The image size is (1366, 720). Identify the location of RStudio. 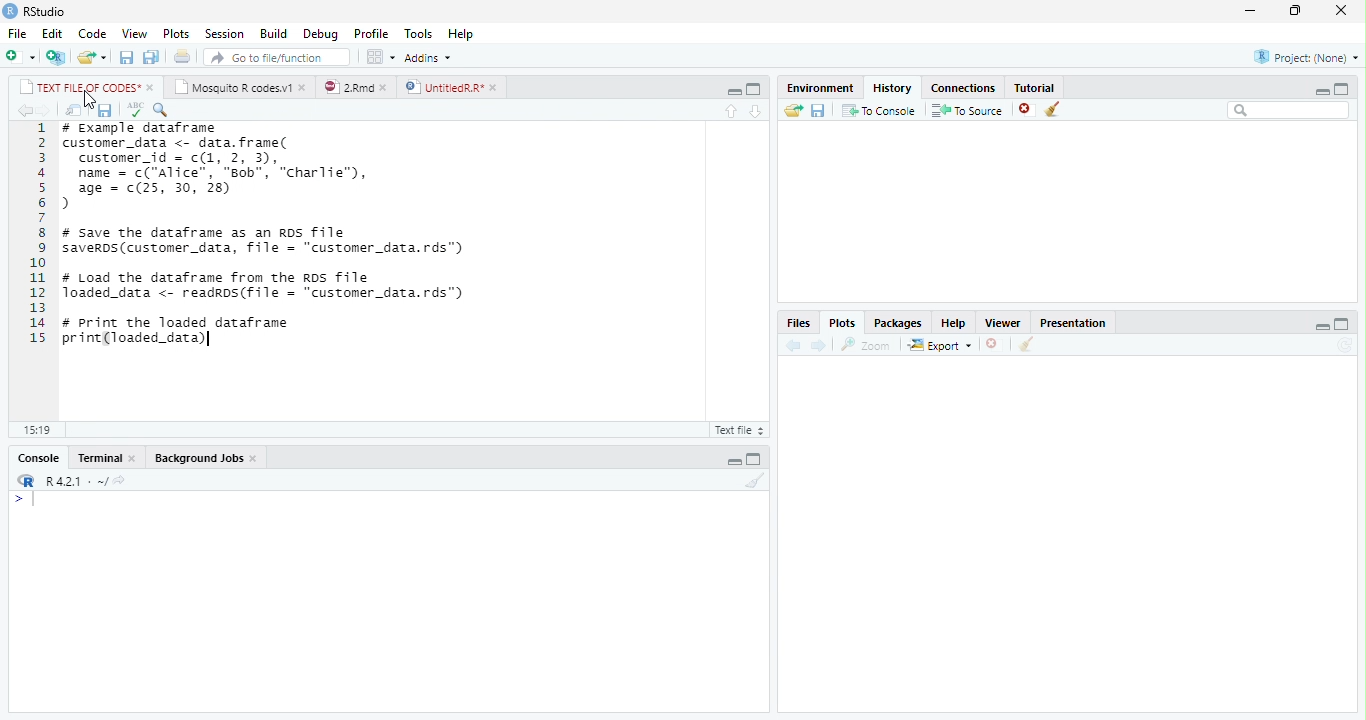
(46, 12).